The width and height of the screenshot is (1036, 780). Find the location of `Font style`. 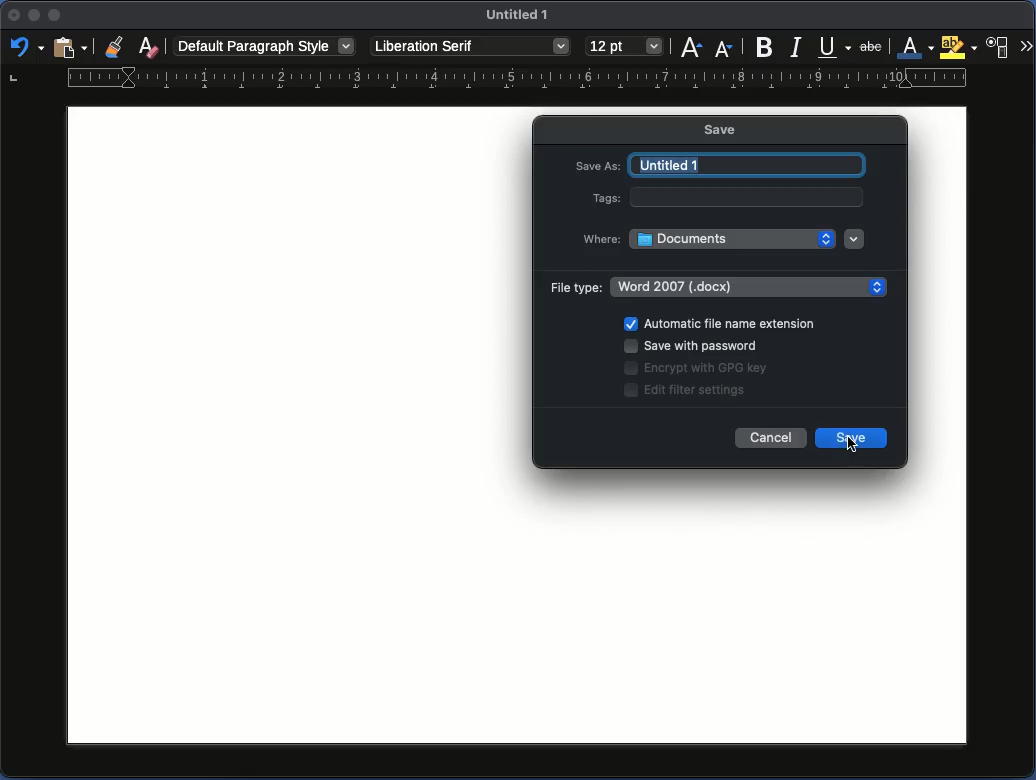

Font style is located at coordinates (470, 47).